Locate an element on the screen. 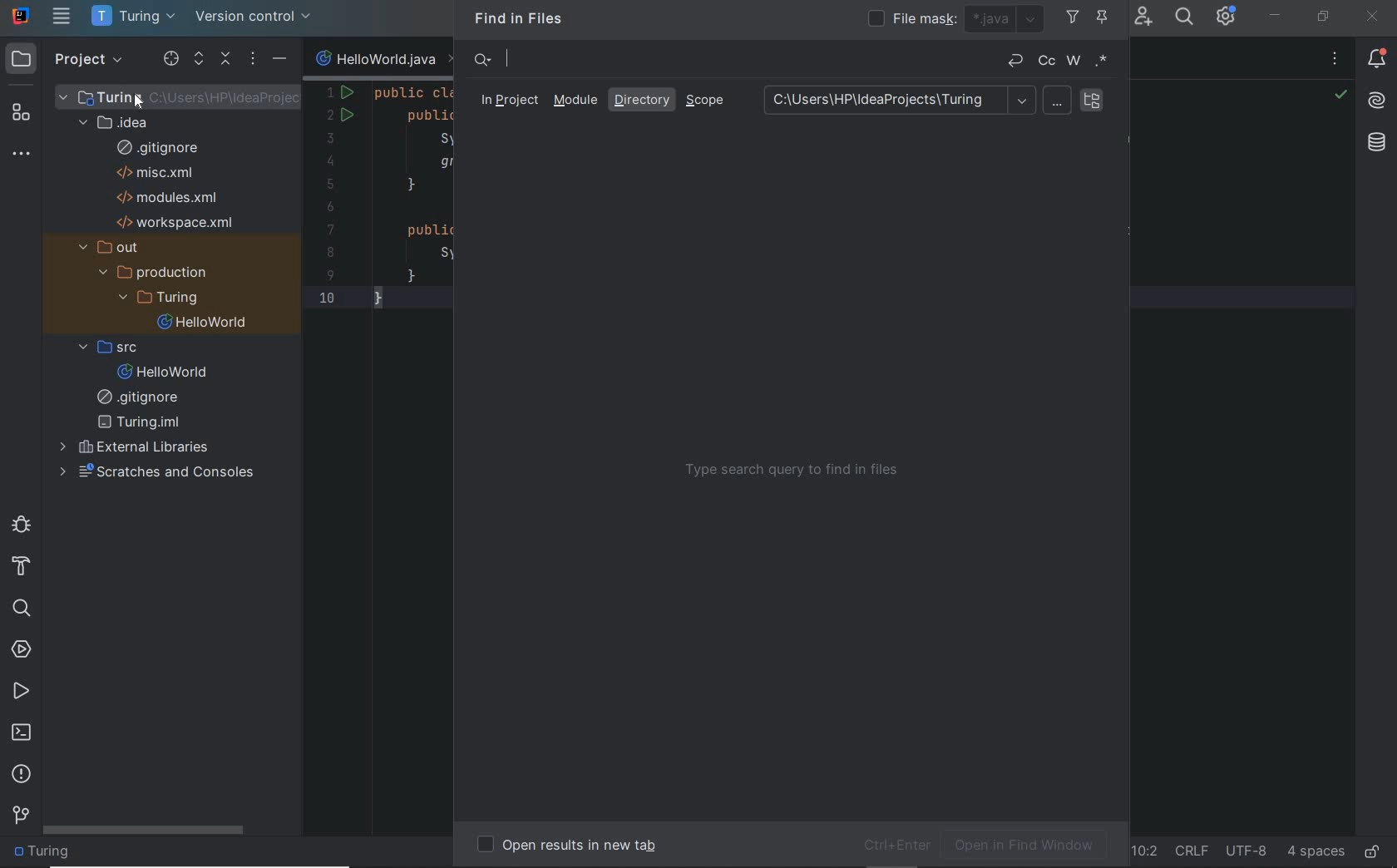 The width and height of the screenshot is (1397, 868). filename.Iml is located at coordinates (145, 423).